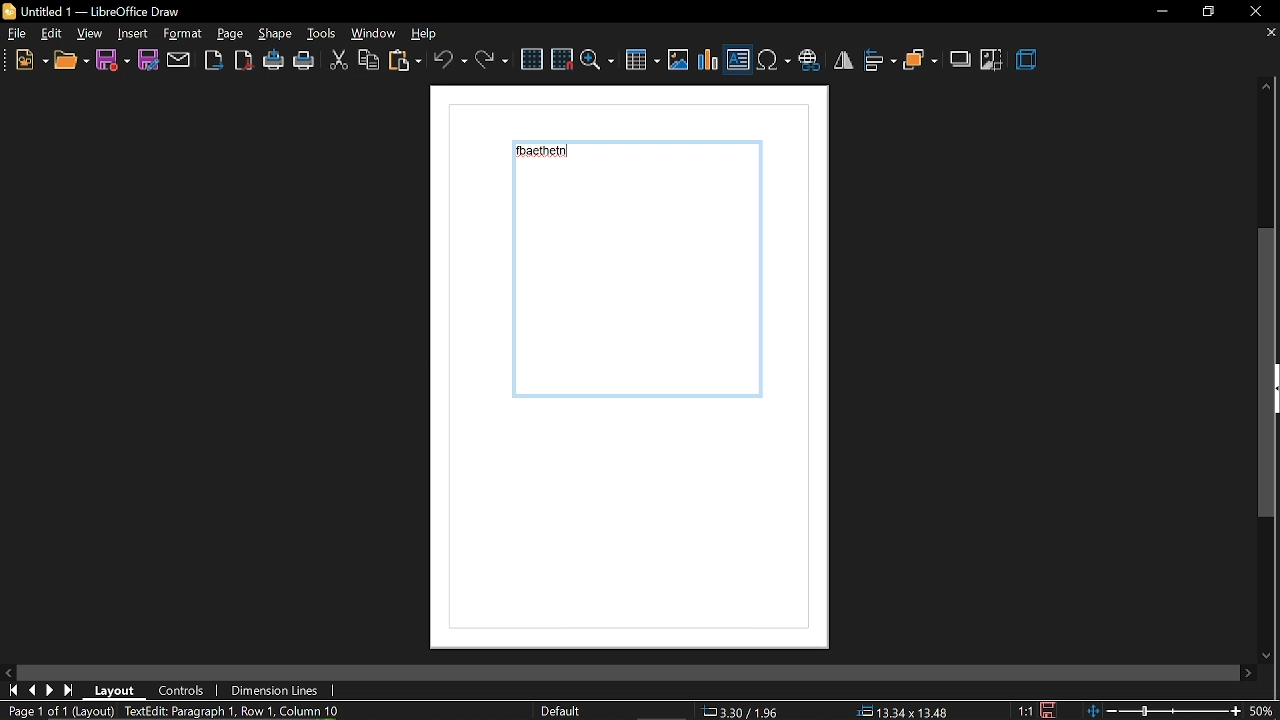  I want to click on position (13.34x13.48), so click(901, 711).